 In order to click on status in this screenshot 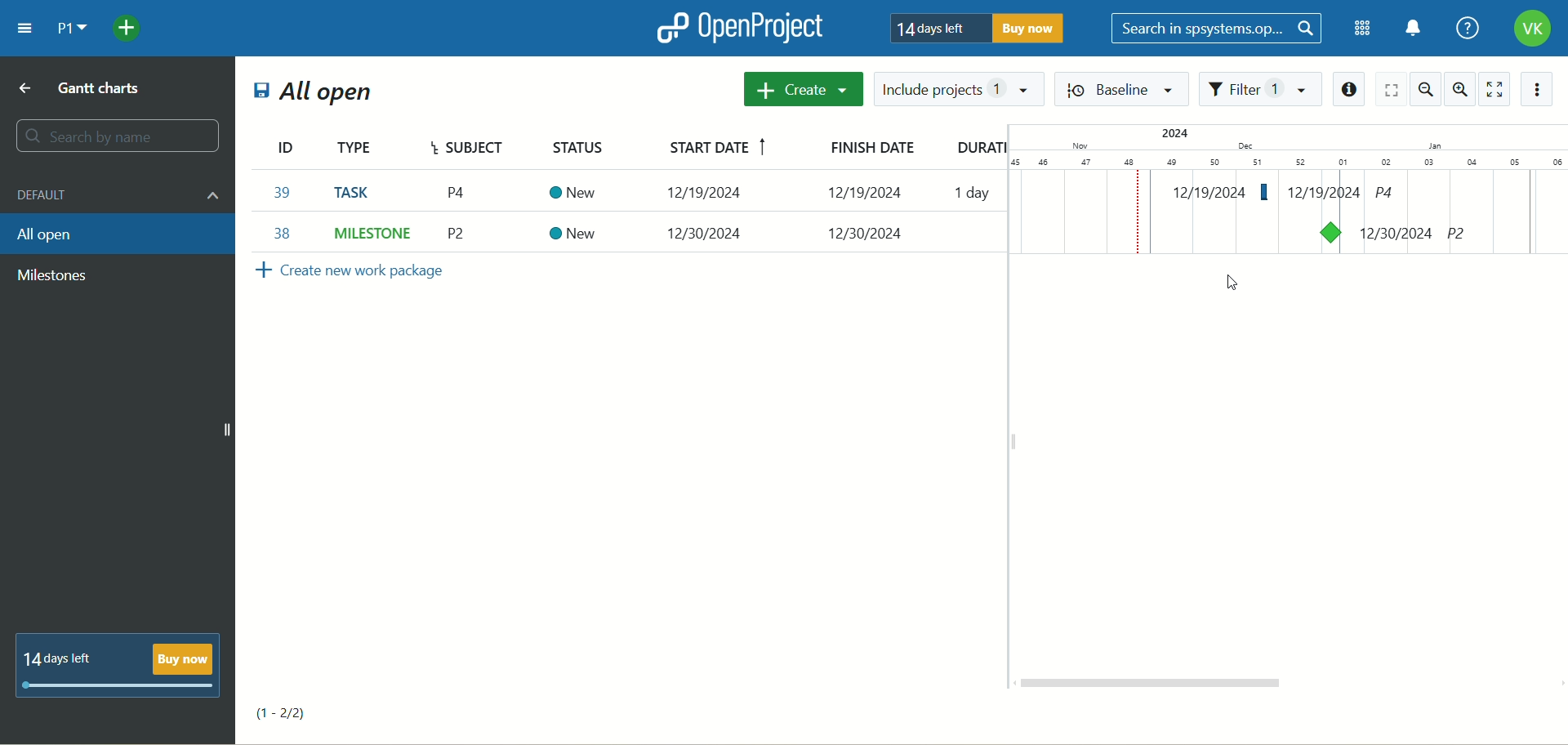, I will do `click(584, 145)`.